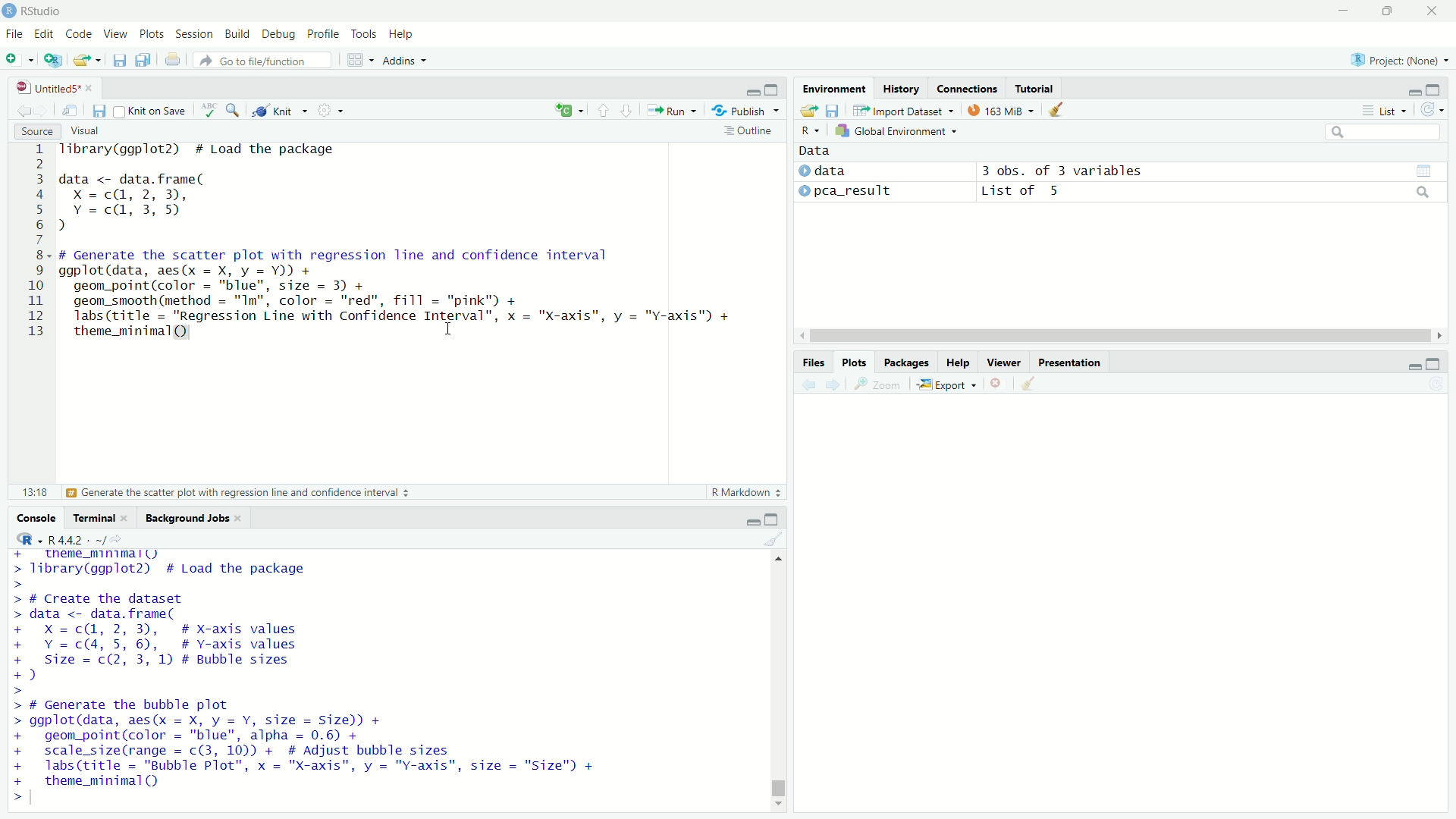 Image resolution: width=1456 pixels, height=819 pixels. Describe the element at coordinates (151, 34) in the screenshot. I see `Plots` at that location.